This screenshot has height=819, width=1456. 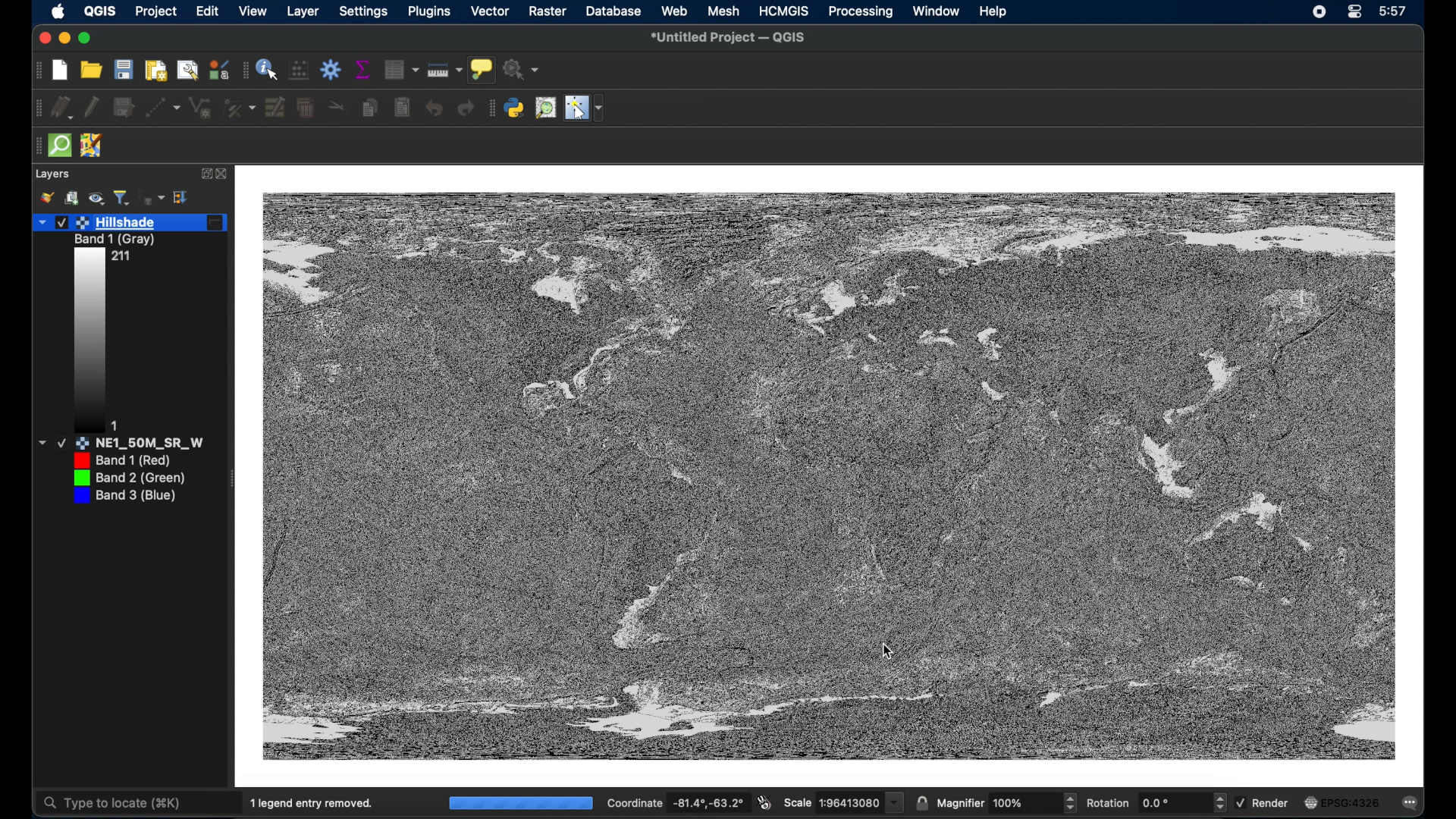 I want to click on open, so click(x=92, y=70).